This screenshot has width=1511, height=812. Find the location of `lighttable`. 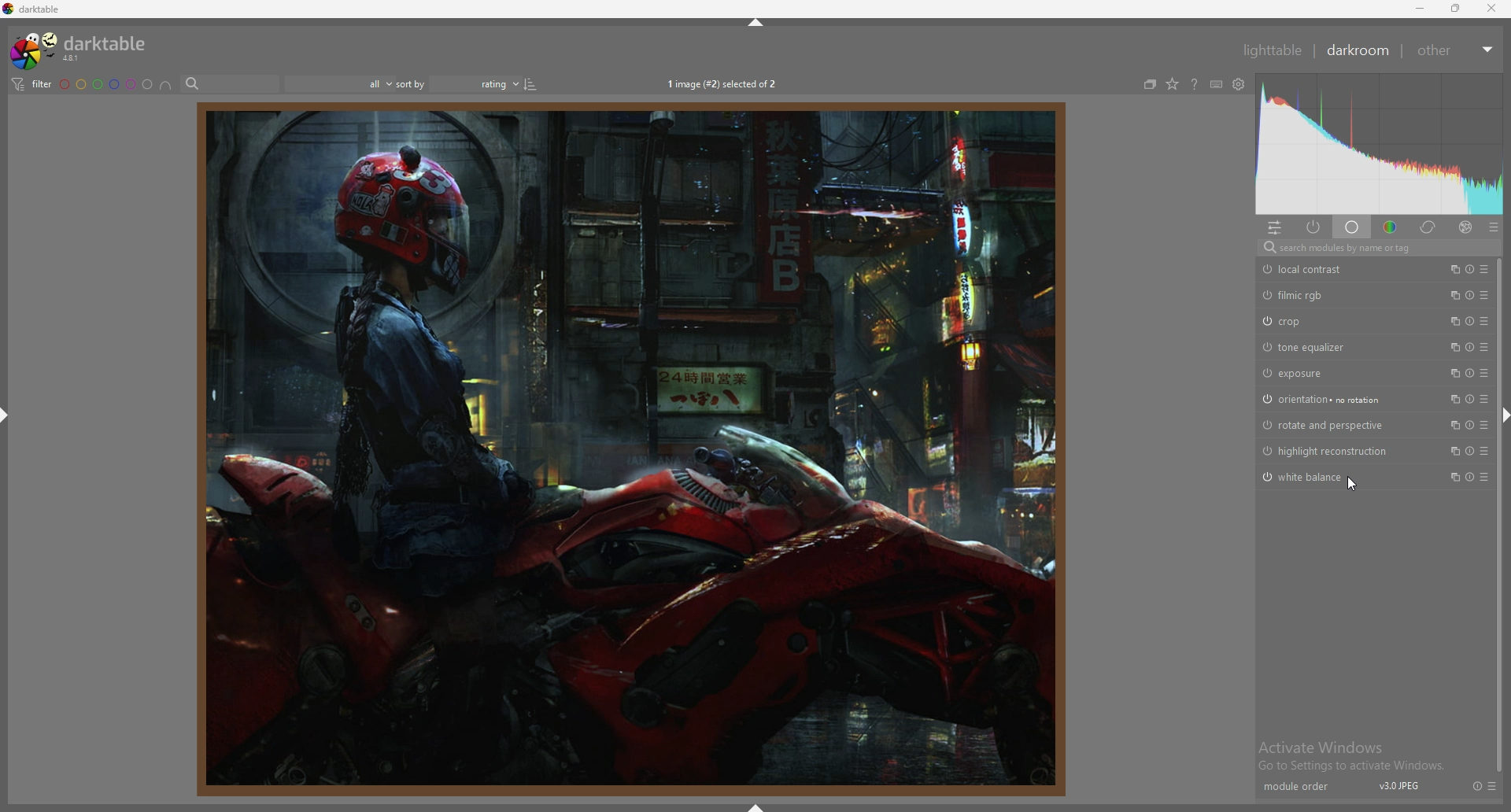

lighttable is located at coordinates (1273, 50).